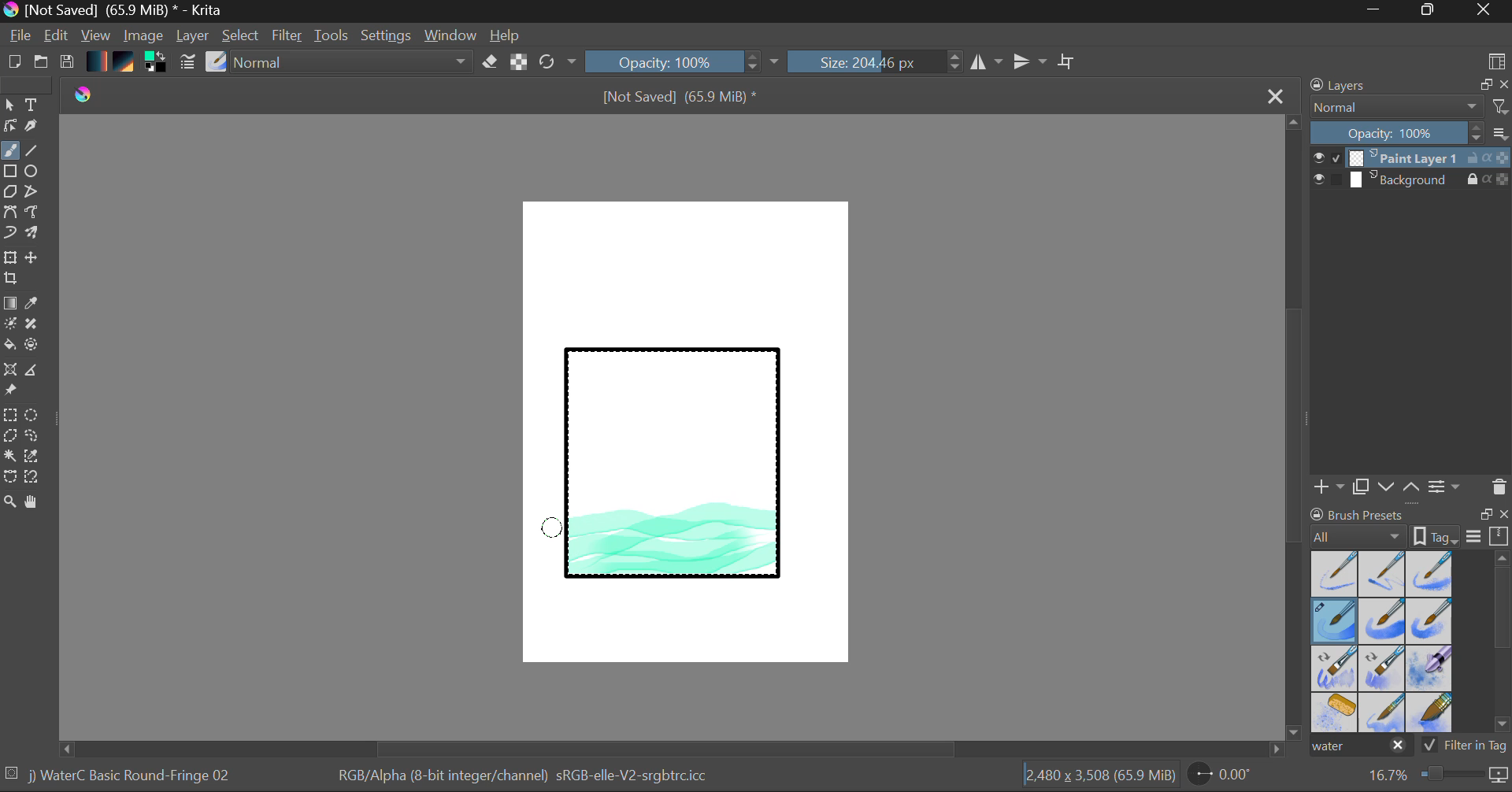 The width and height of the screenshot is (1512, 792). I want to click on Measurements, so click(34, 372).